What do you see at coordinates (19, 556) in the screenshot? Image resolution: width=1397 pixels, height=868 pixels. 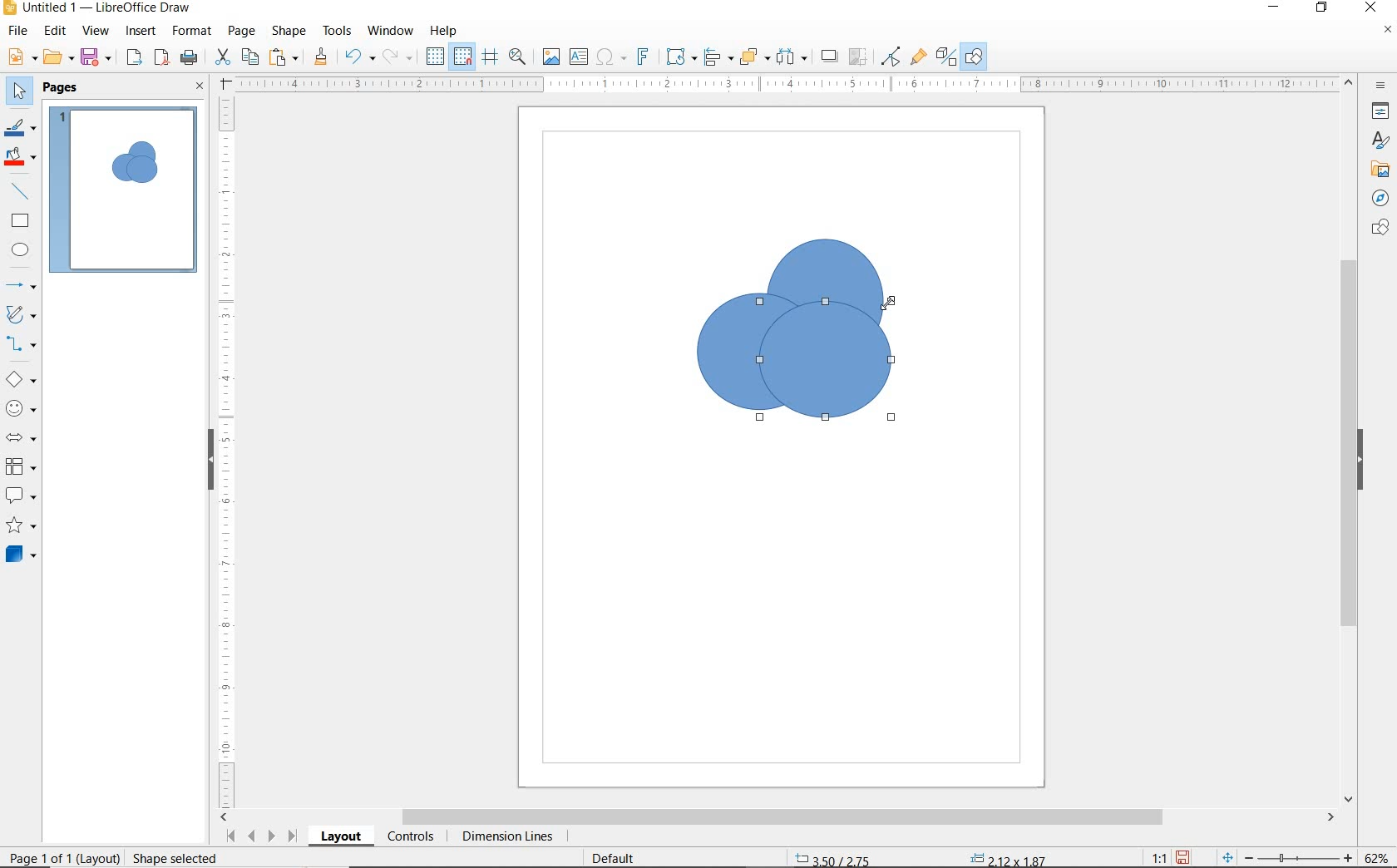 I see `3D OBJECTS` at bounding box center [19, 556].